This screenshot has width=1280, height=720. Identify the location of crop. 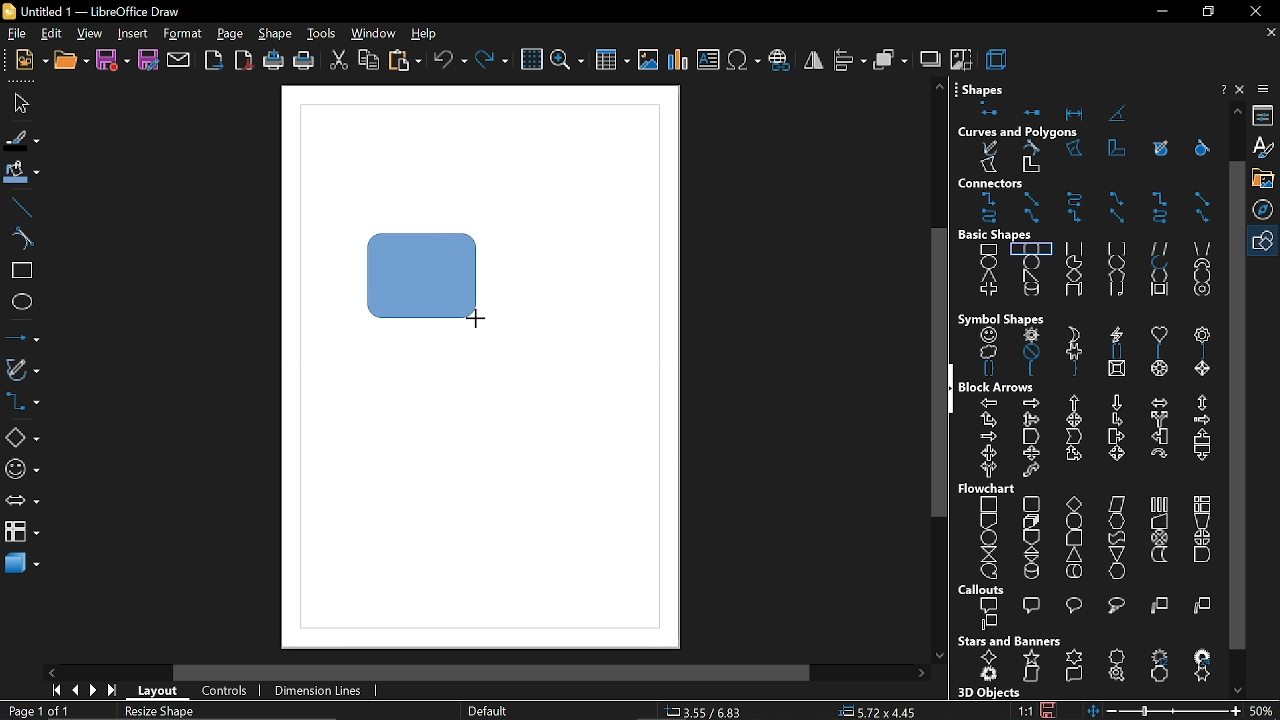
(961, 58).